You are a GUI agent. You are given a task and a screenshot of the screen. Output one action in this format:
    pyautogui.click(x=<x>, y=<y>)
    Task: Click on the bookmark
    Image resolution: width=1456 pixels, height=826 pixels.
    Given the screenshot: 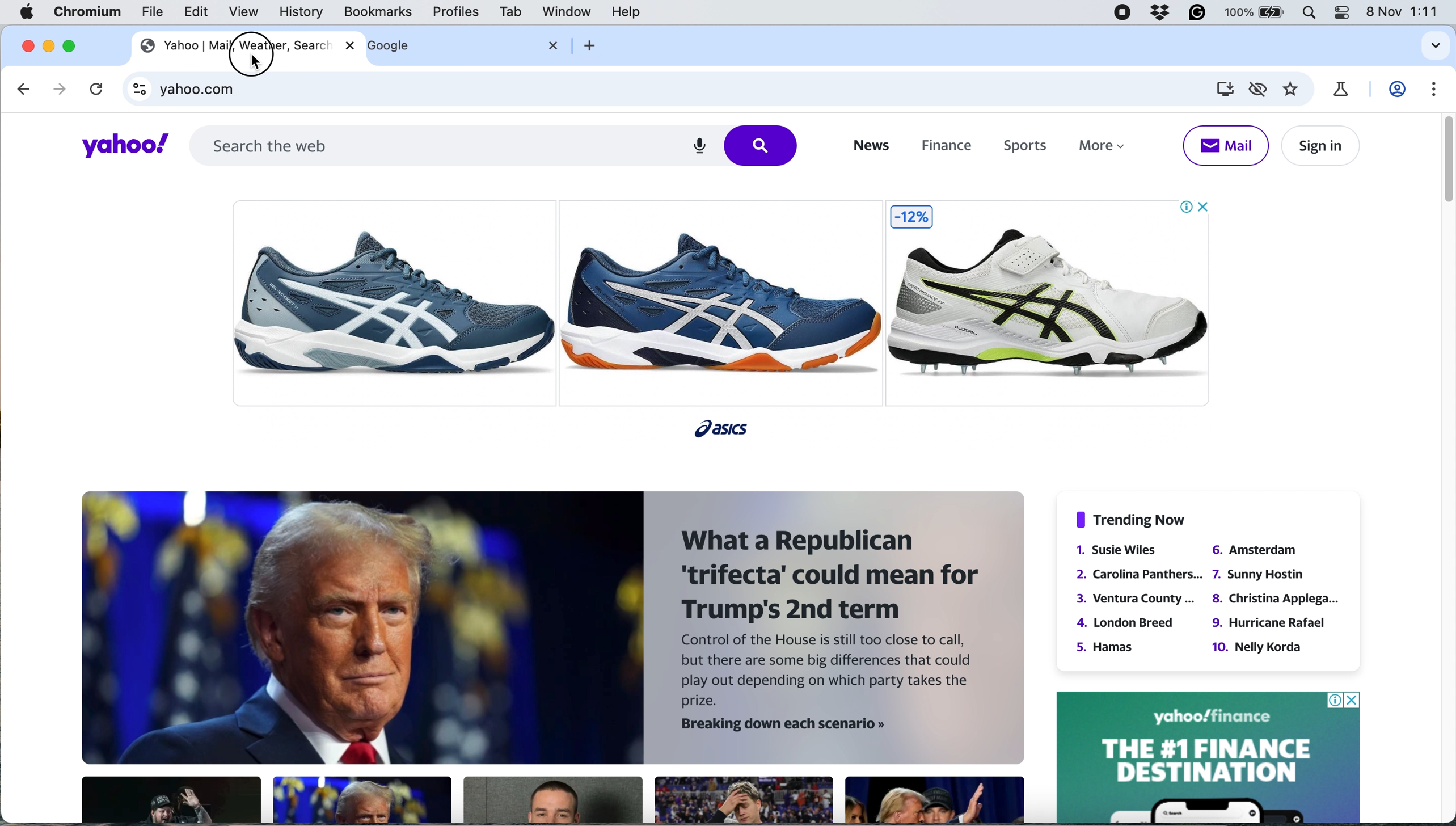 What is the action you would take?
    pyautogui.click(x=1292, y=90)
    